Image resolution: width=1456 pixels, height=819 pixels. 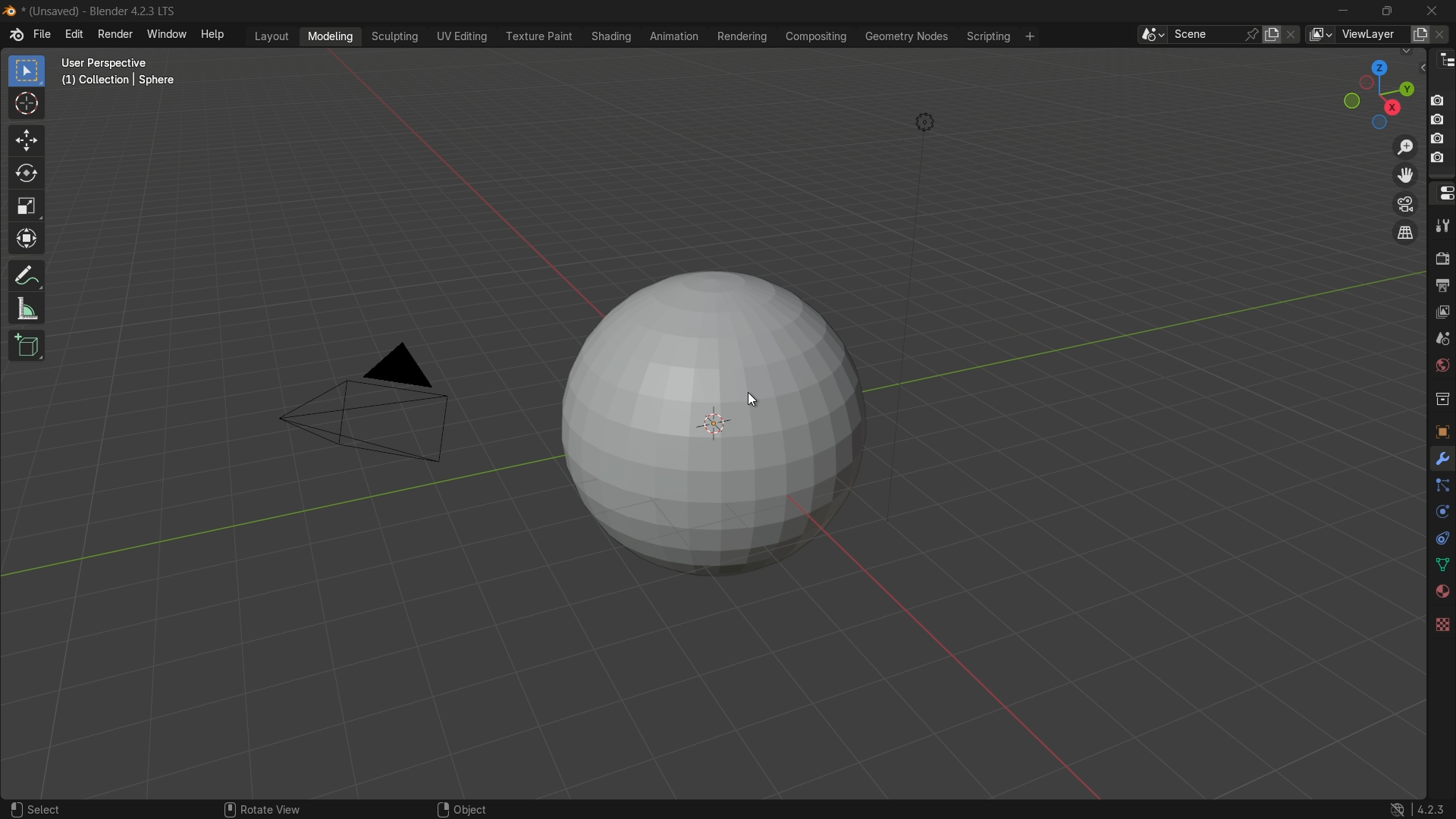 What do you see at coordinates (743, 36) in the screenshot?
I see `rendering menu` at bounding box center [743, 36].